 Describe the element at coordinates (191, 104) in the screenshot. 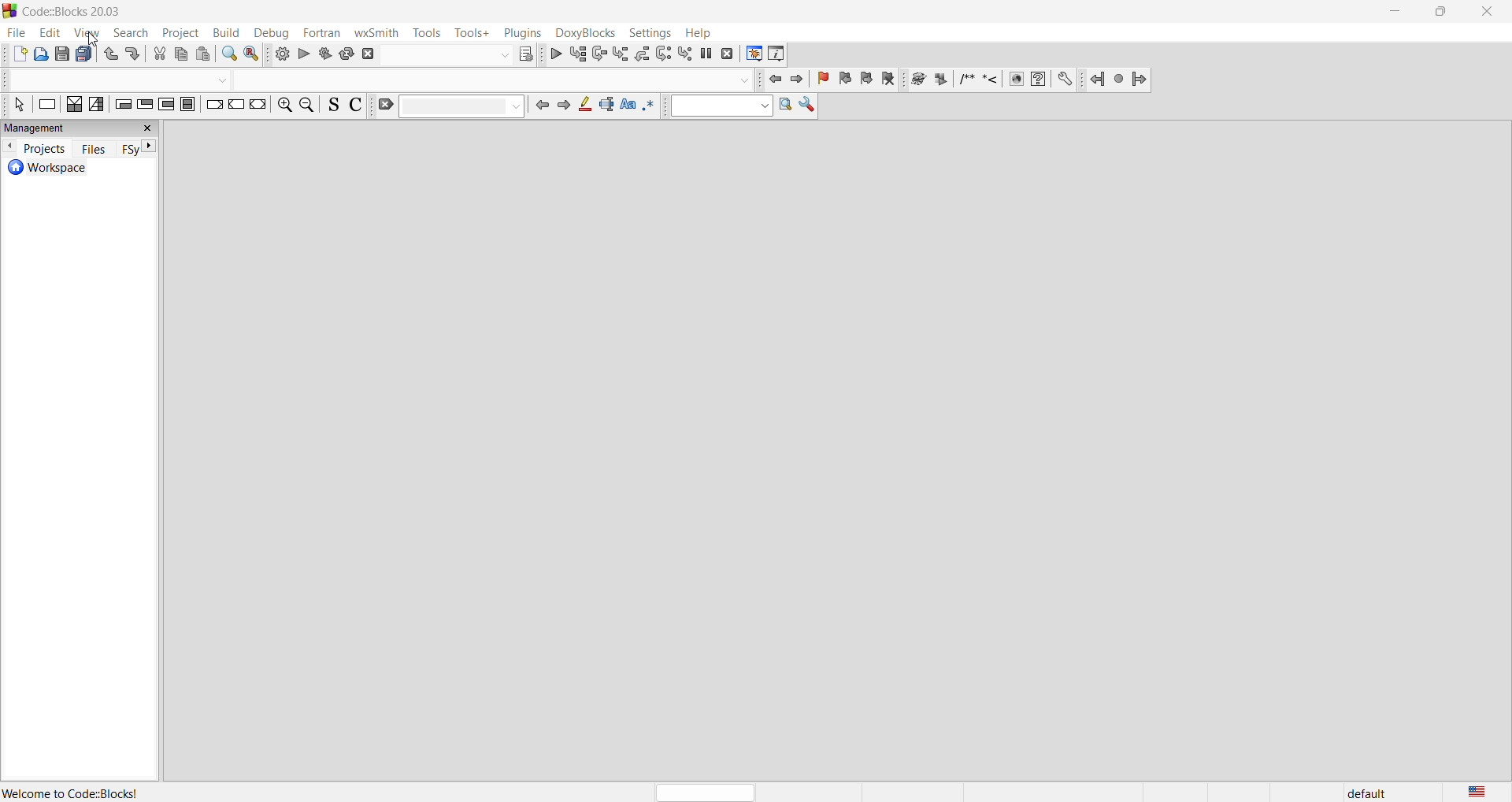

I see `block instruction` at that location.